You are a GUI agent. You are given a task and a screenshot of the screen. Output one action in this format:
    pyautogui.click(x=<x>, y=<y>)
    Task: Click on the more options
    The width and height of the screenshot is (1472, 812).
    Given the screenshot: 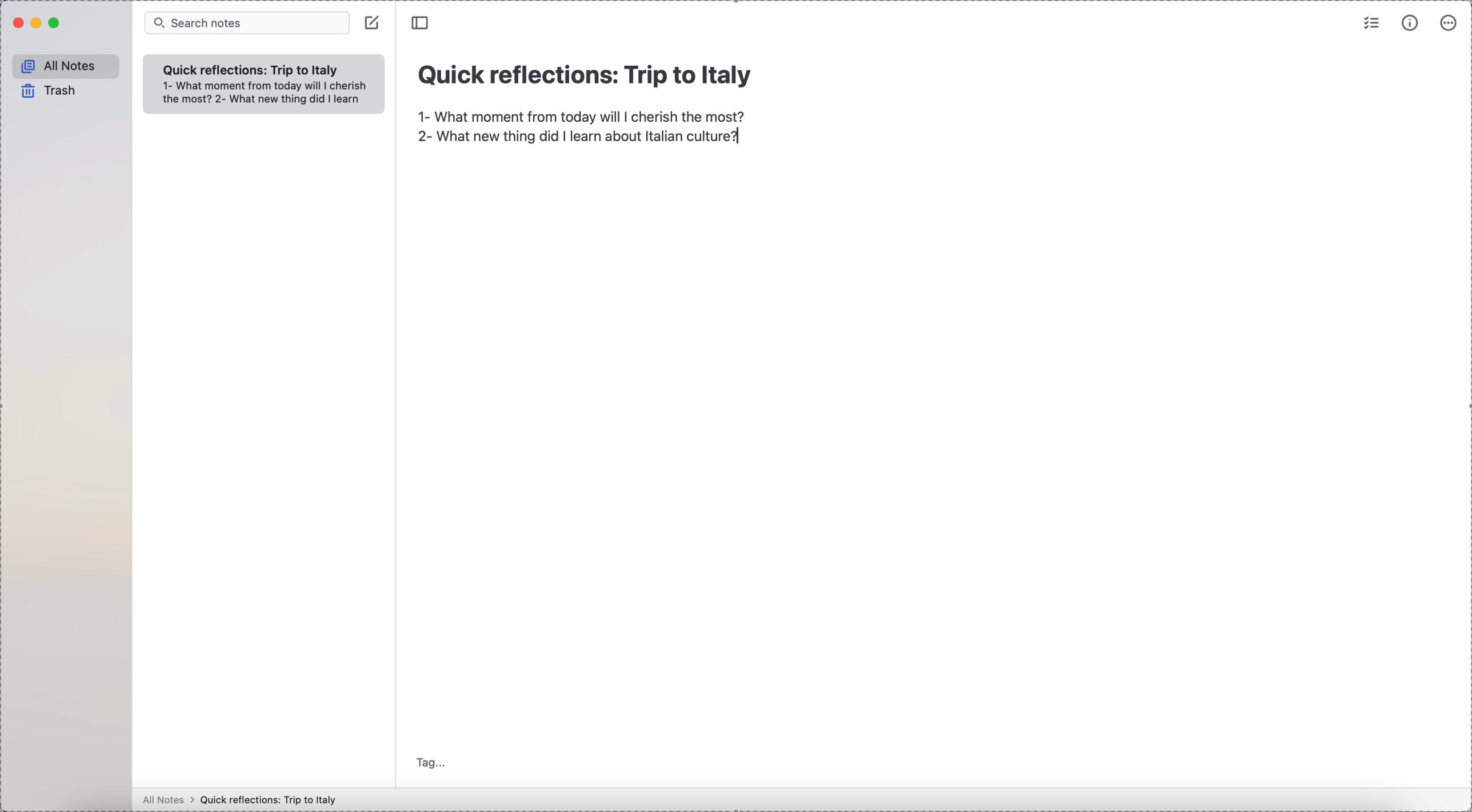 What is the action you would take?
    pyautogui.click(x=1449, y=25)
    